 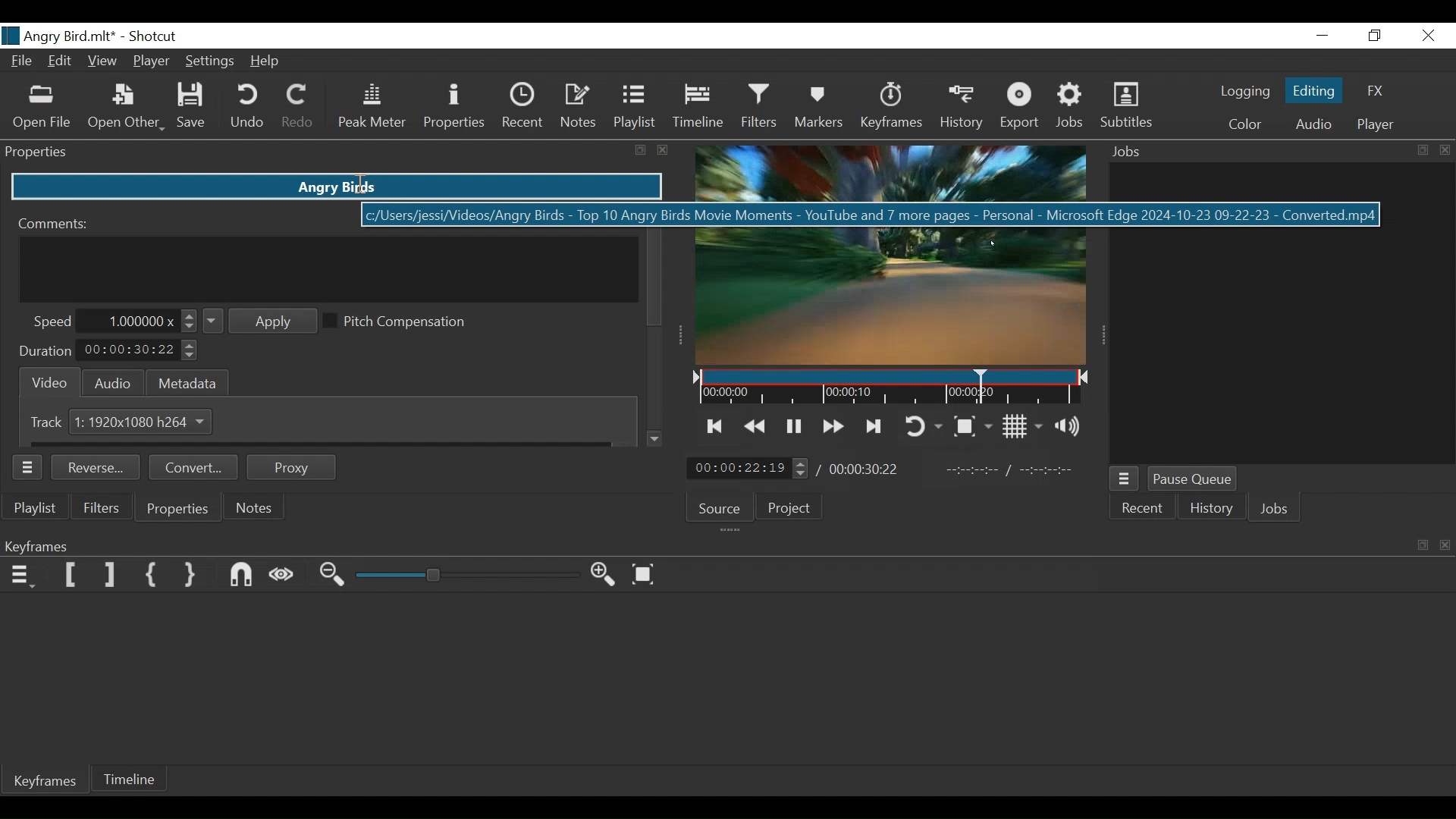 I want to click on Audio, so click(x=112, y=383).